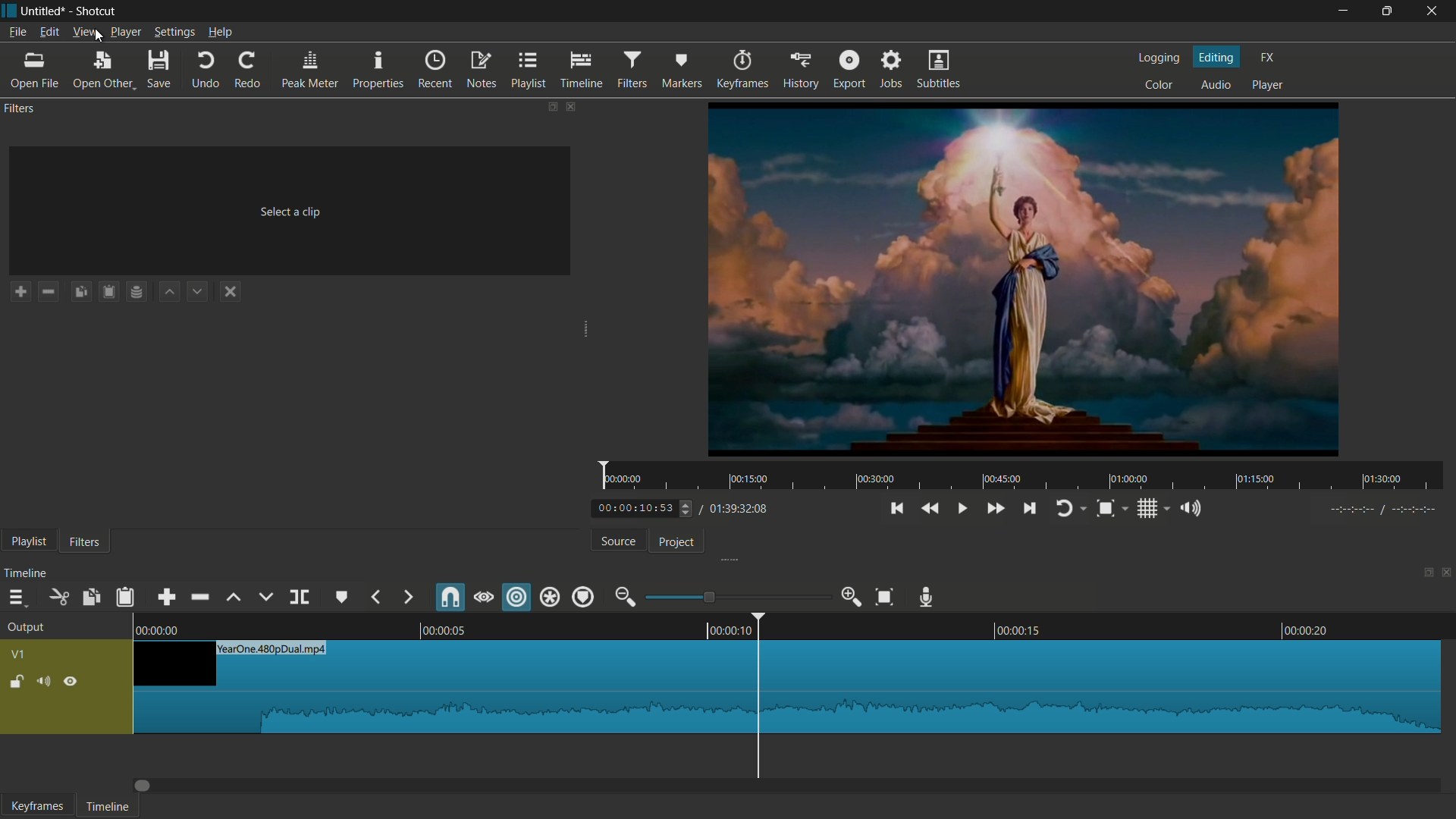 This screenshot has width=1456, height=819. Describe the element at coordinates (547, 105) in the screenshot. I see `change layout` at that location.